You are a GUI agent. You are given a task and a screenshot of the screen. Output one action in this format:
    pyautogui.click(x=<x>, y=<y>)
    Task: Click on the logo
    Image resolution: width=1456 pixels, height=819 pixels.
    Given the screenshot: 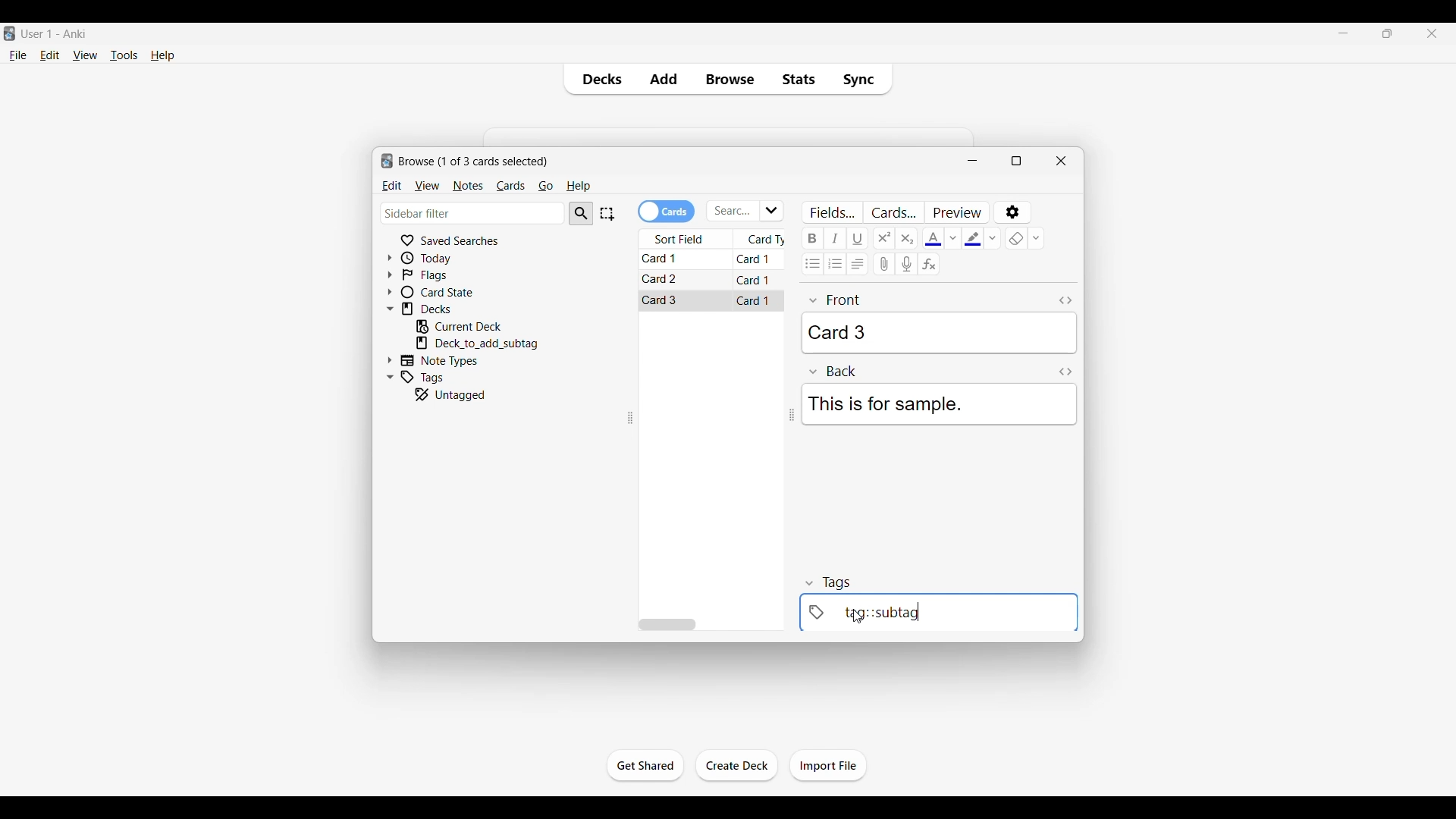 What is the action you would take?
    pyautogui.click(x=385, y=162)
    